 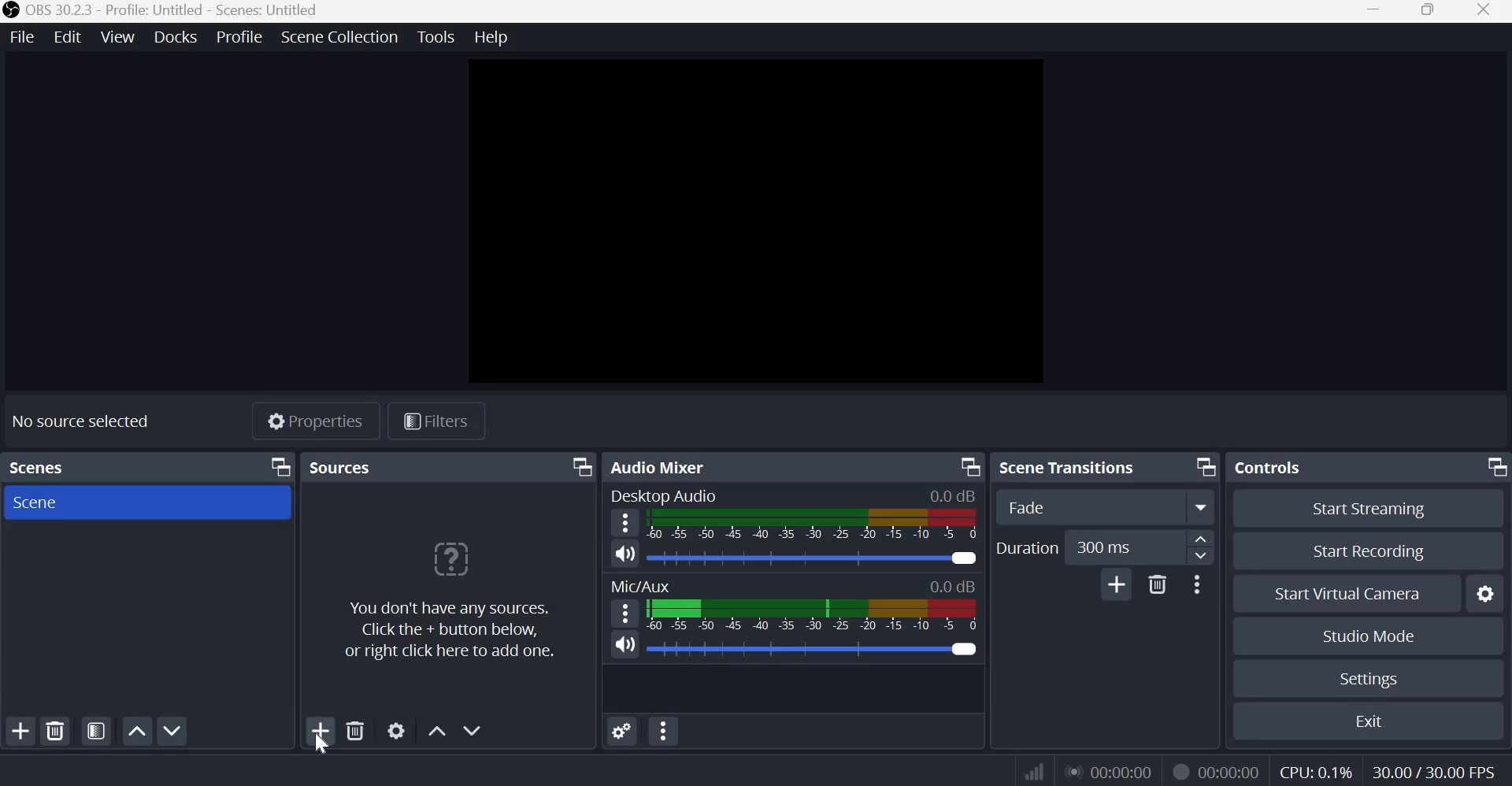 I want to click on Start streaming, so click(x=1369, y=509).